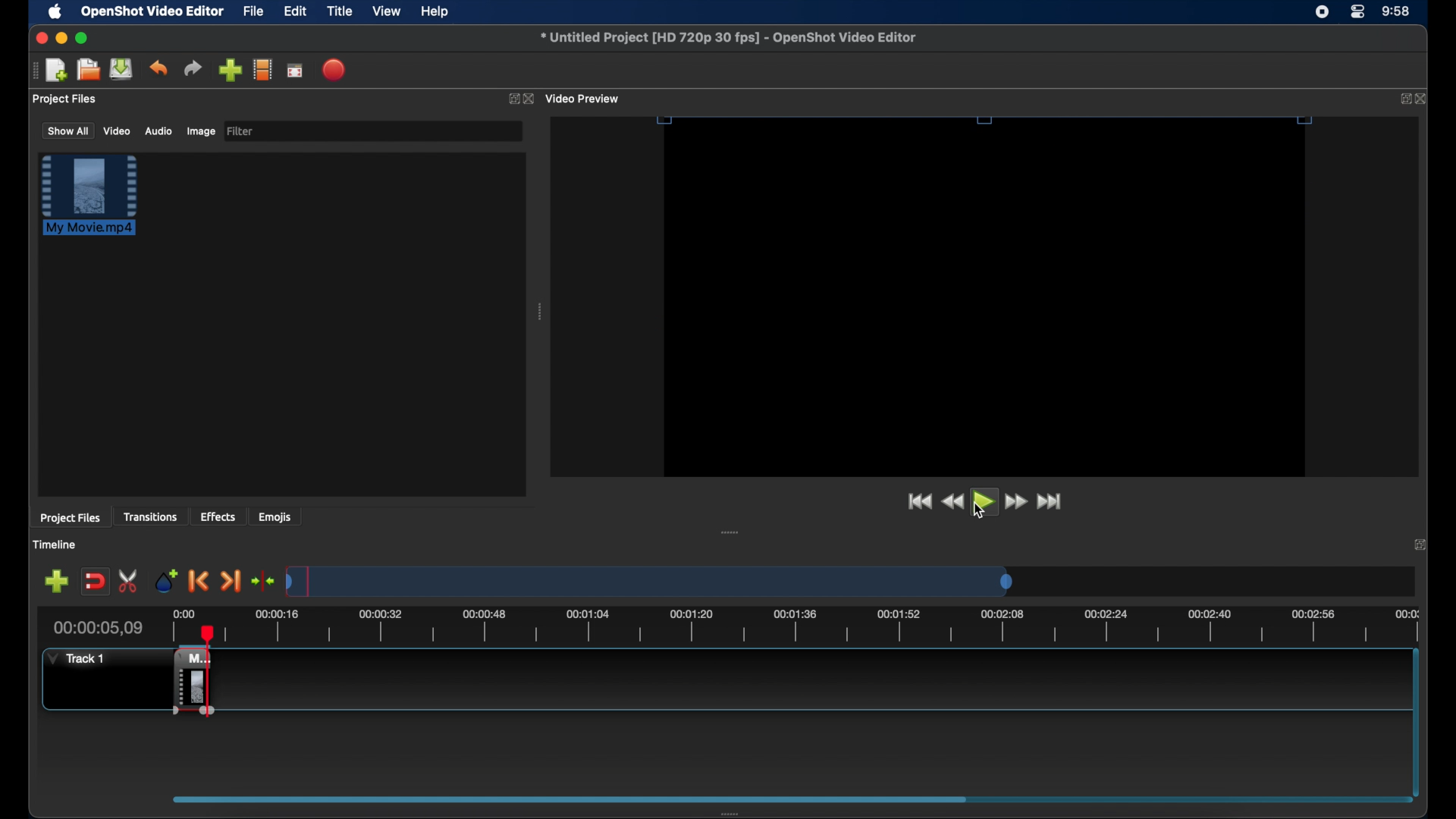 The width and height of the screenshot is (1456, 819). I want to click on expand, so click(1423, 544).